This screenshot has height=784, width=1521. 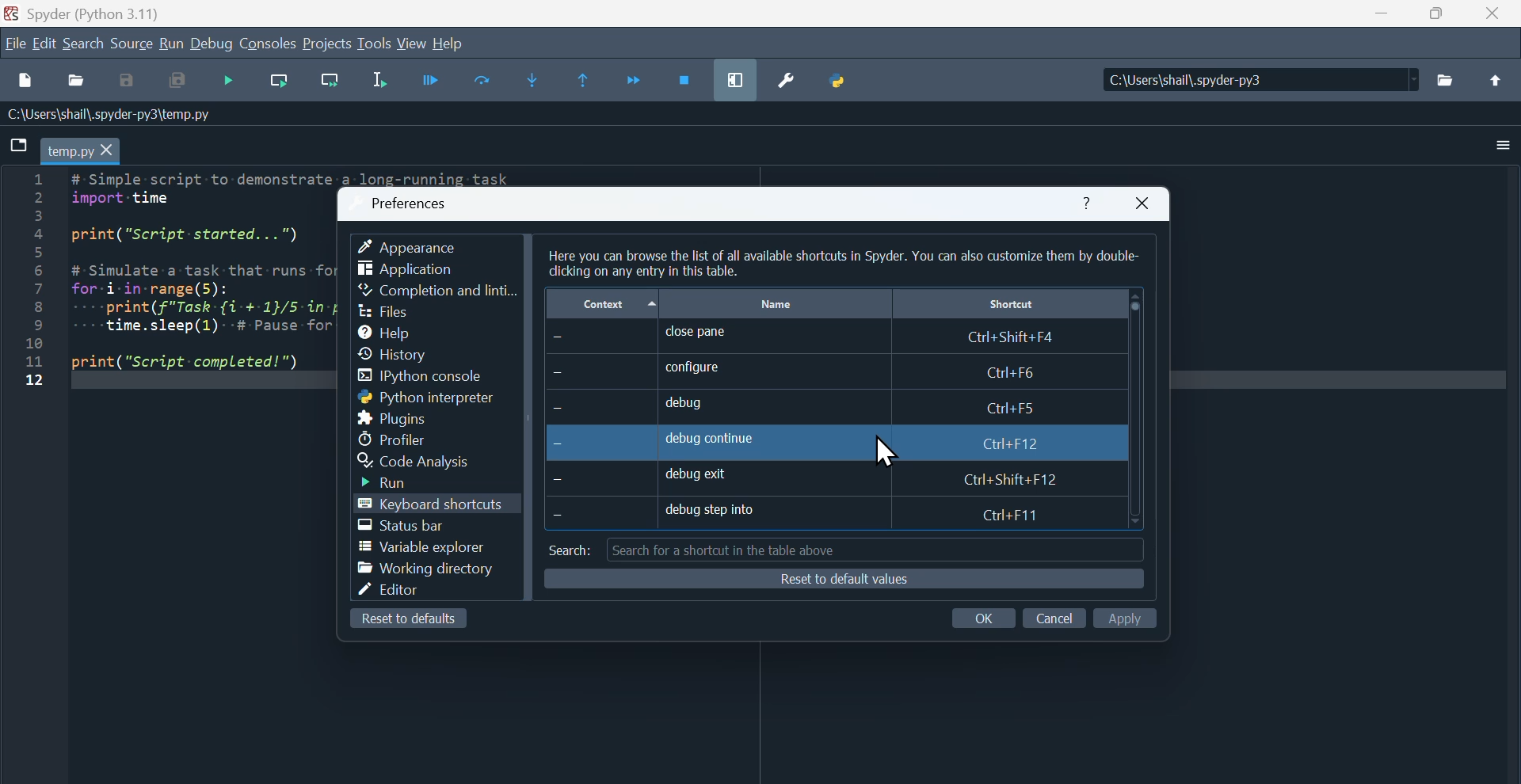 I want to click on File, so click(x=20, y=145).